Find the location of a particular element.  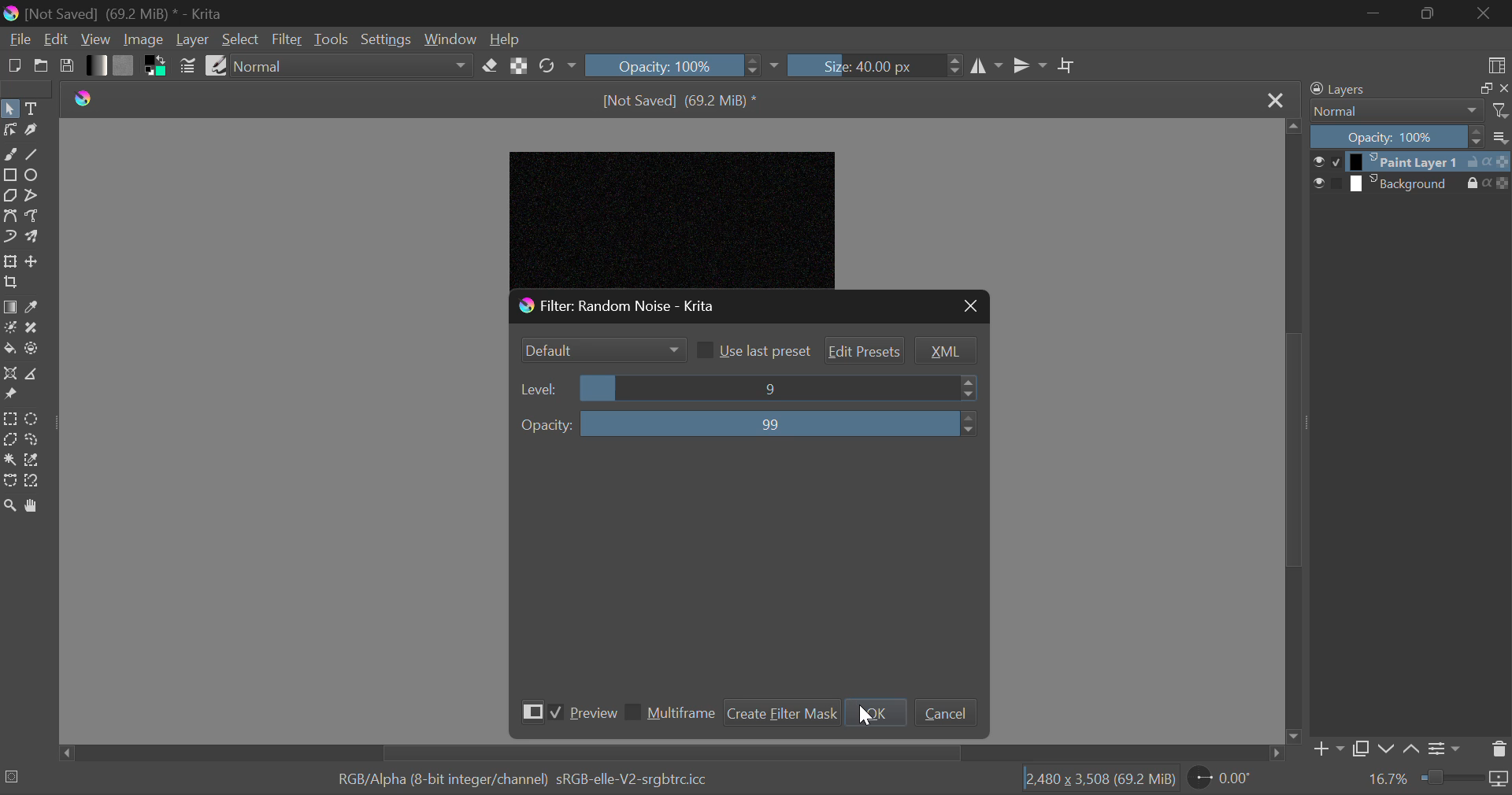

Krita Logo is located at coordinates (85, 97).